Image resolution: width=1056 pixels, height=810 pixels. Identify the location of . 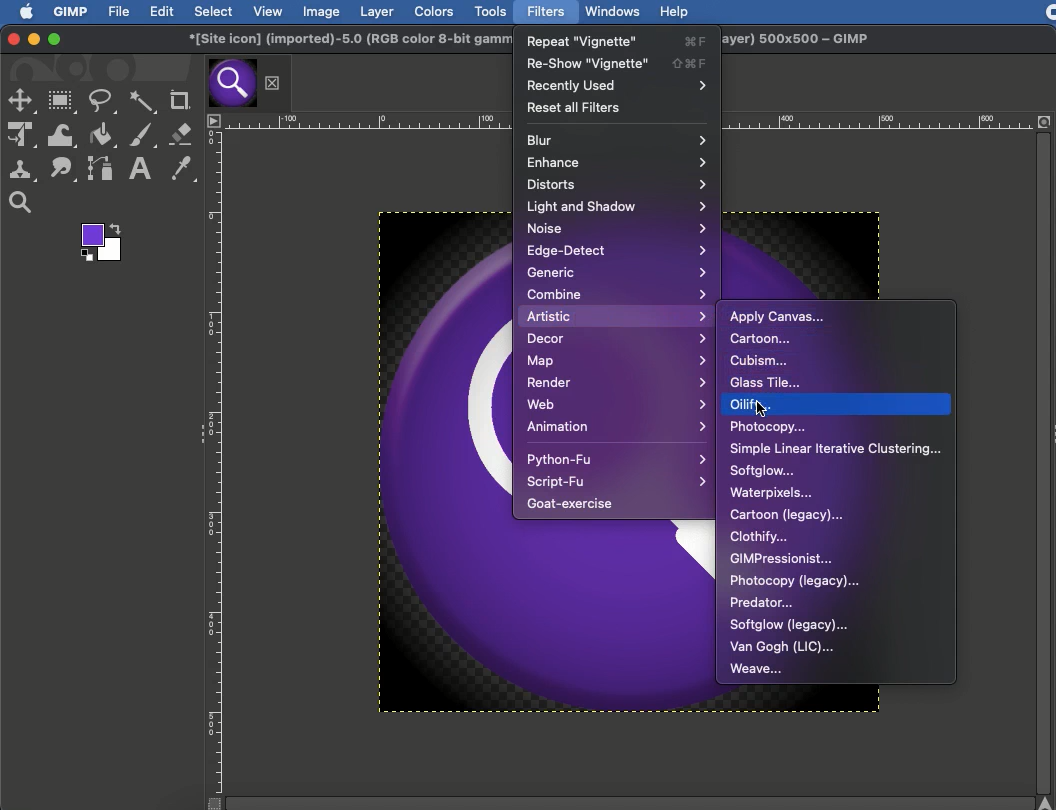
(215, 462).